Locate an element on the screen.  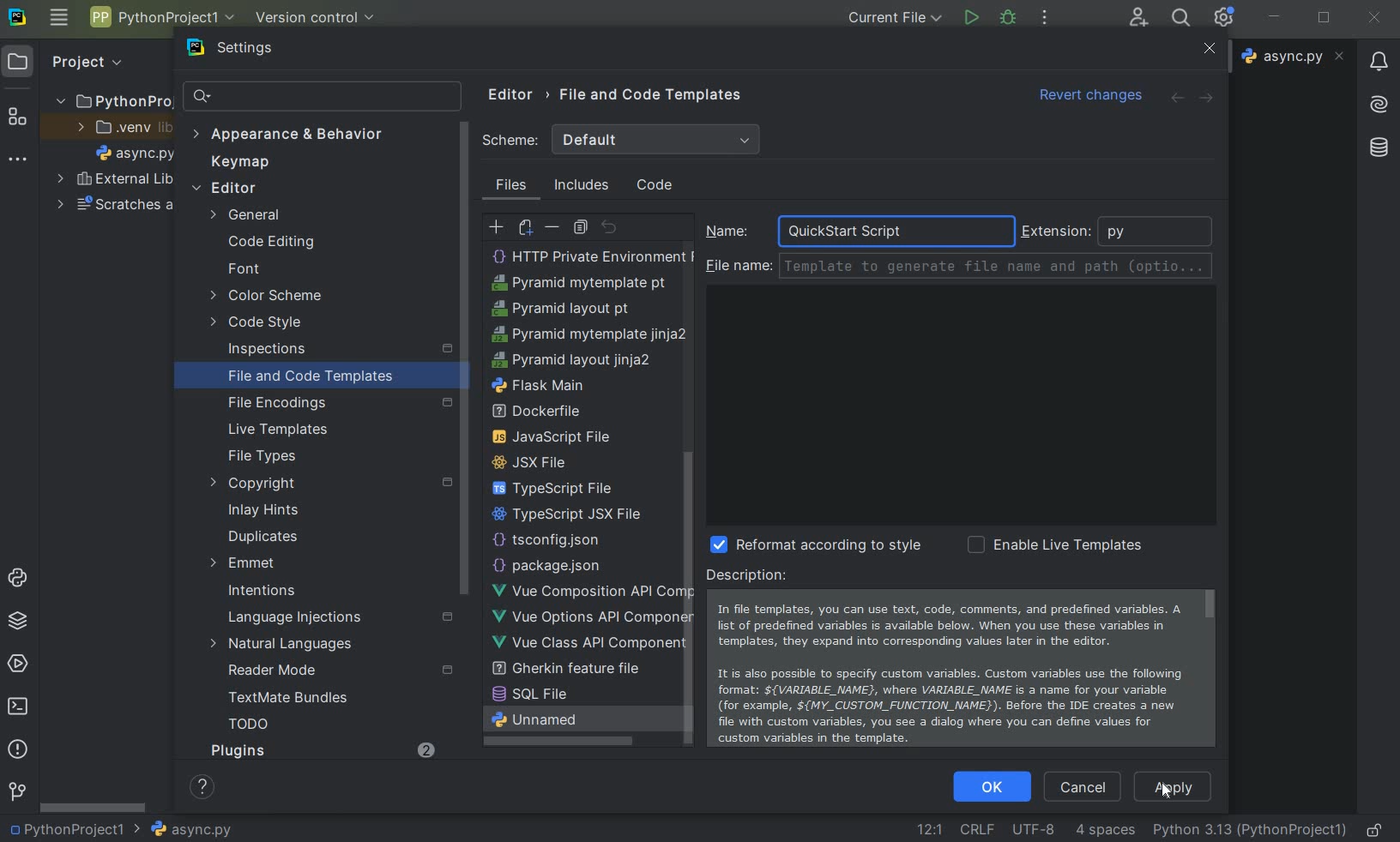
forward is located at coordinates (1206, 99).